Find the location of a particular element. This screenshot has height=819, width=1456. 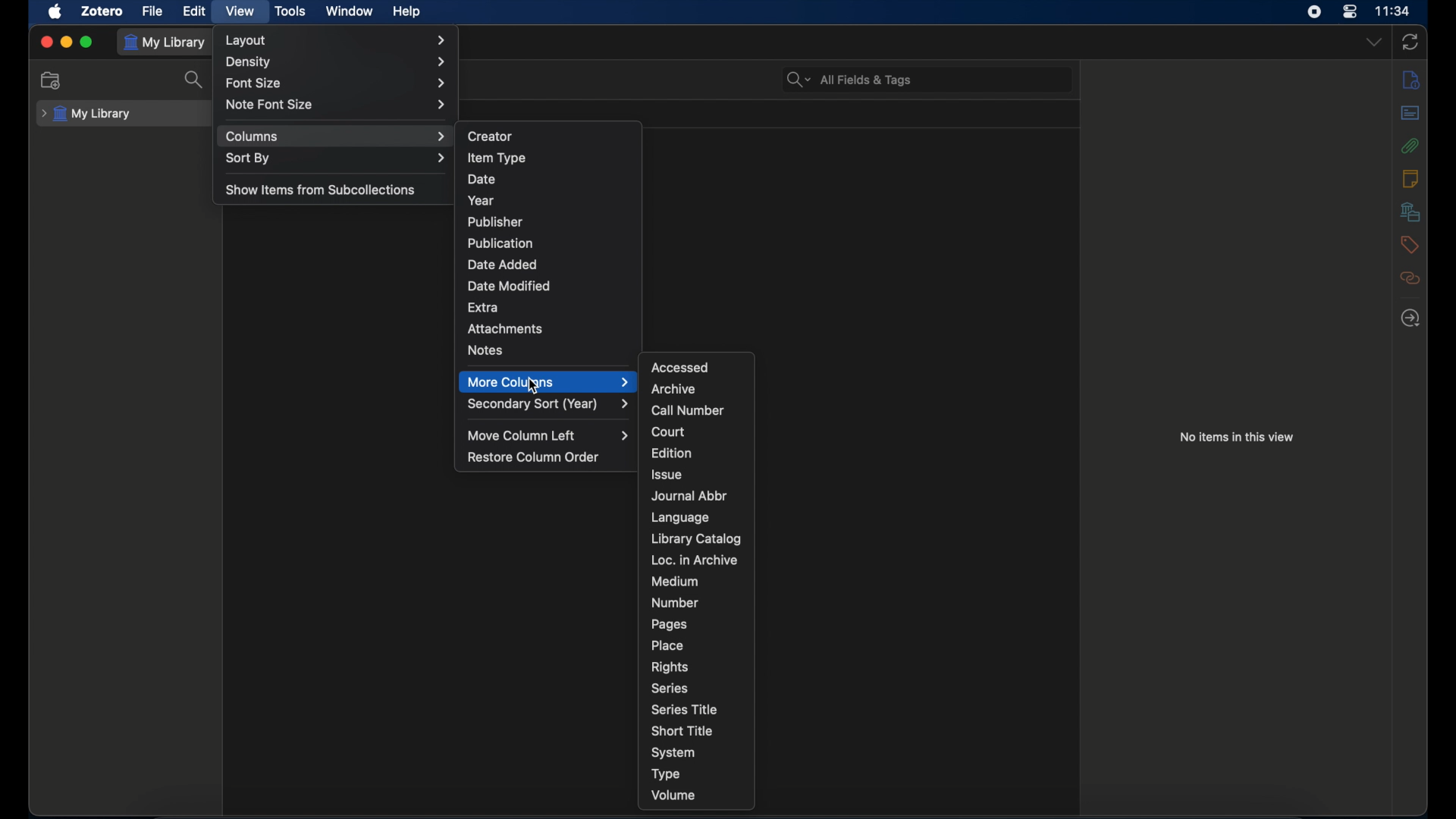

edit is located at coordinates (196, 12).